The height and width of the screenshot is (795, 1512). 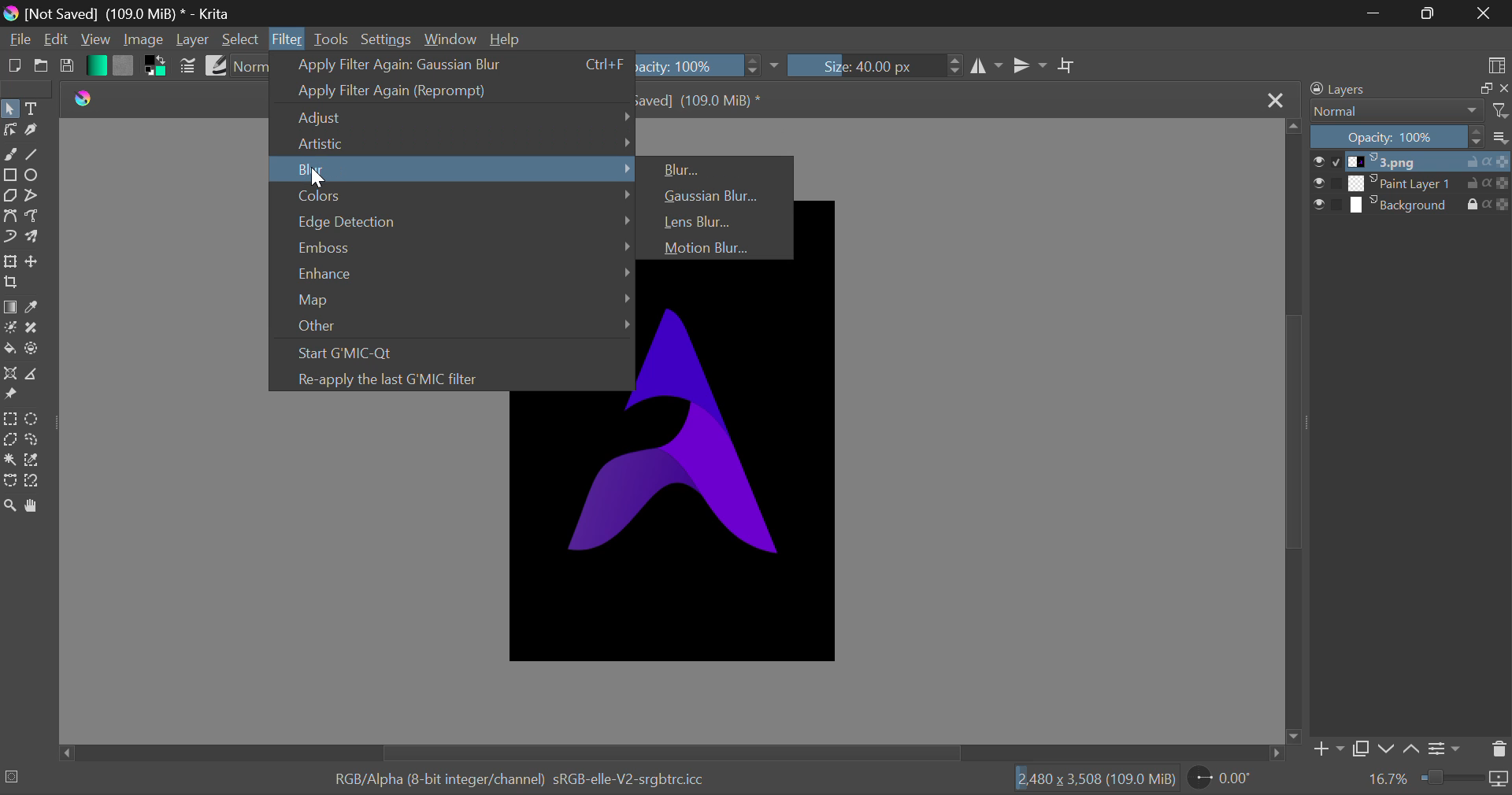 What do you see at coordinates (9, 196) in the screenshot?
I see `Polygons` at bounding box center [9, 196].